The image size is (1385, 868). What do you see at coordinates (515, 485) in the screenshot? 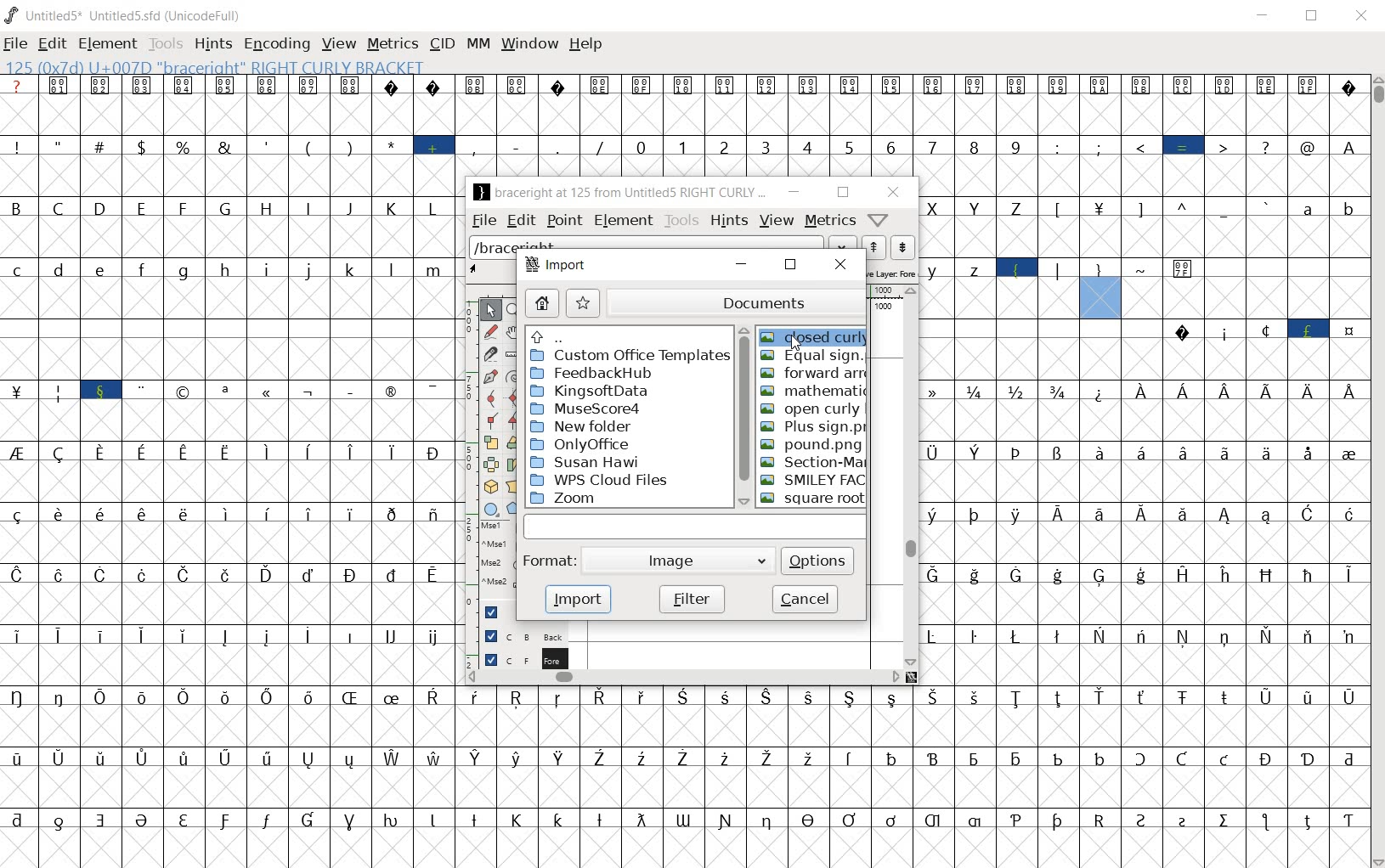
I see `perform a perspective transformation on the selection` at bounding box center [515, 485].